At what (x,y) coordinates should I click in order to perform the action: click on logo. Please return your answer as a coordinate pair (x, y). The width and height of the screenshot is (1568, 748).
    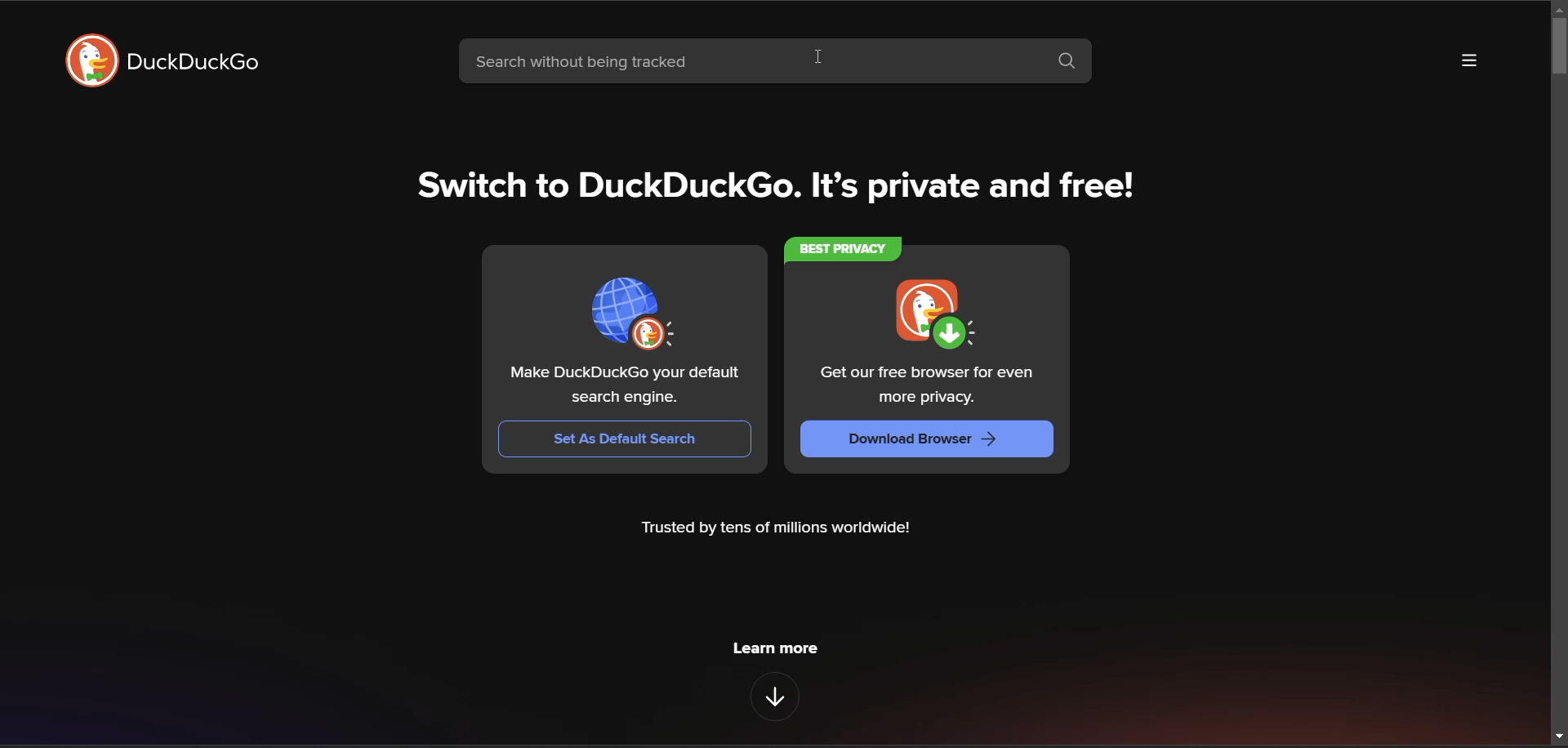
    Looking at the image, I should click on (631, 312).